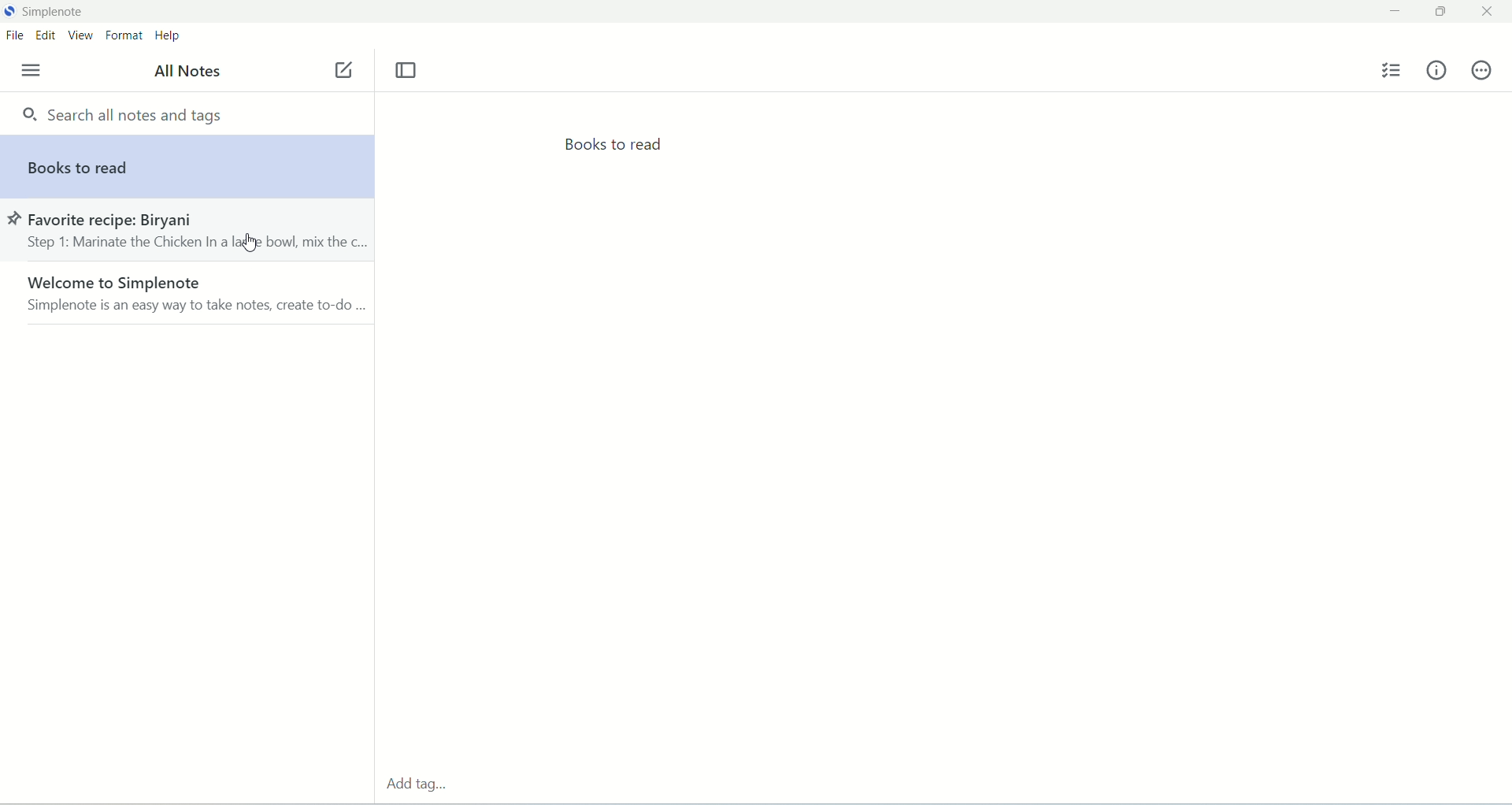 Image resolution: width=1512 pixels, height=805 pixels. I want to click on logo, so click(9, 9).